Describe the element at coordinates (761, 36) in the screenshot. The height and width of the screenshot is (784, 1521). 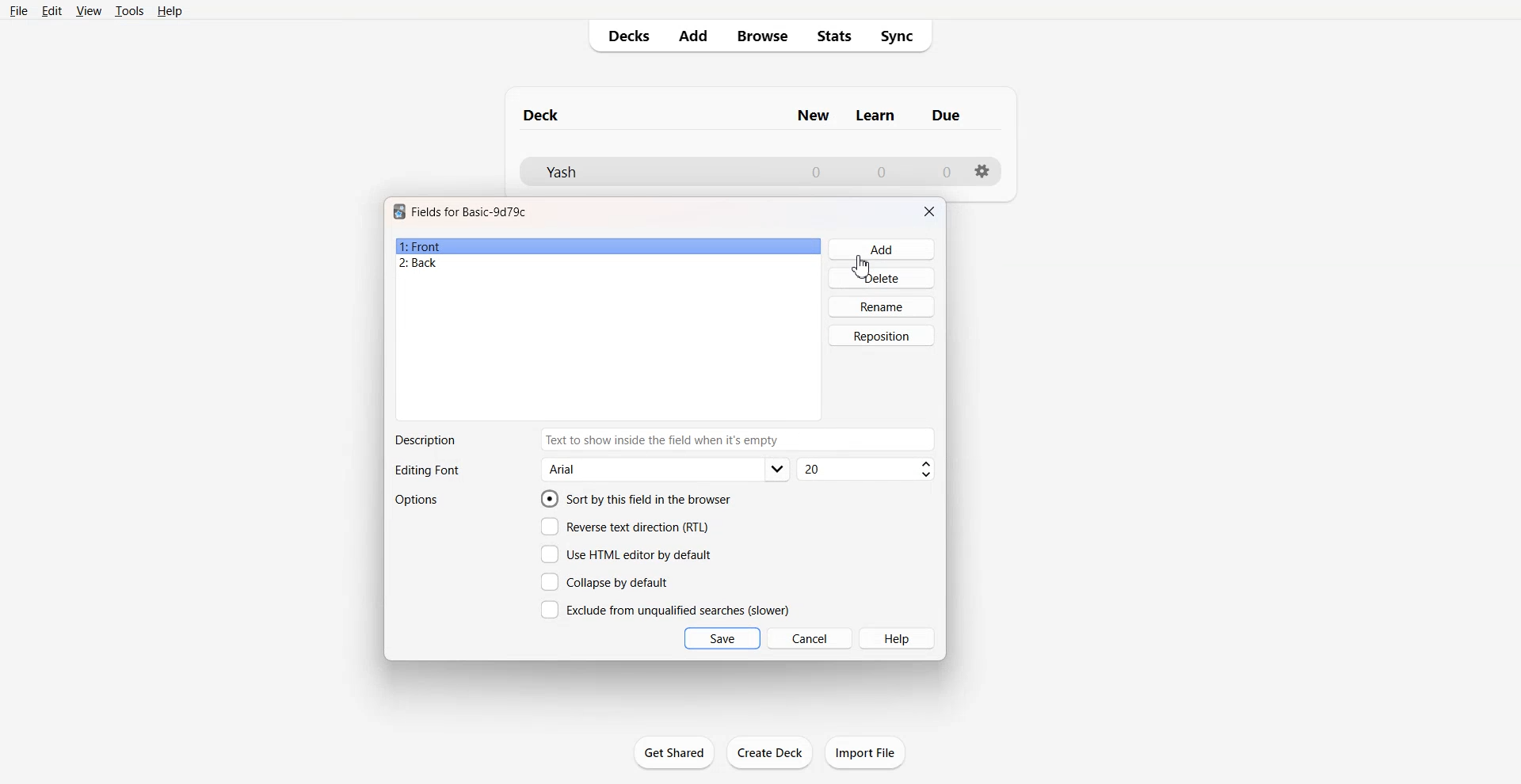
I see `Browse` at that location.